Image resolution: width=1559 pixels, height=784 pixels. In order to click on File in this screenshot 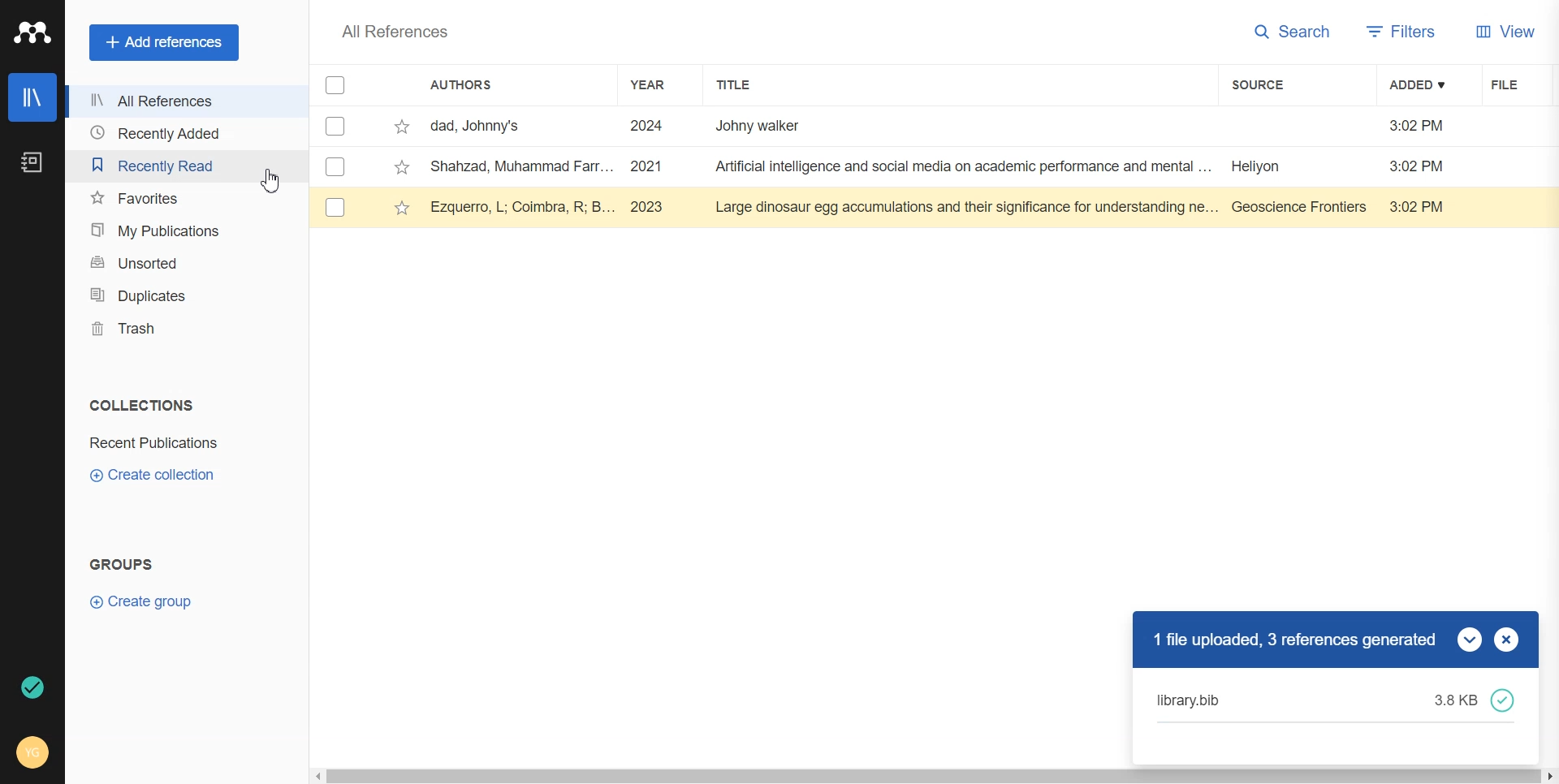, I will do `click(1514, 84)`.